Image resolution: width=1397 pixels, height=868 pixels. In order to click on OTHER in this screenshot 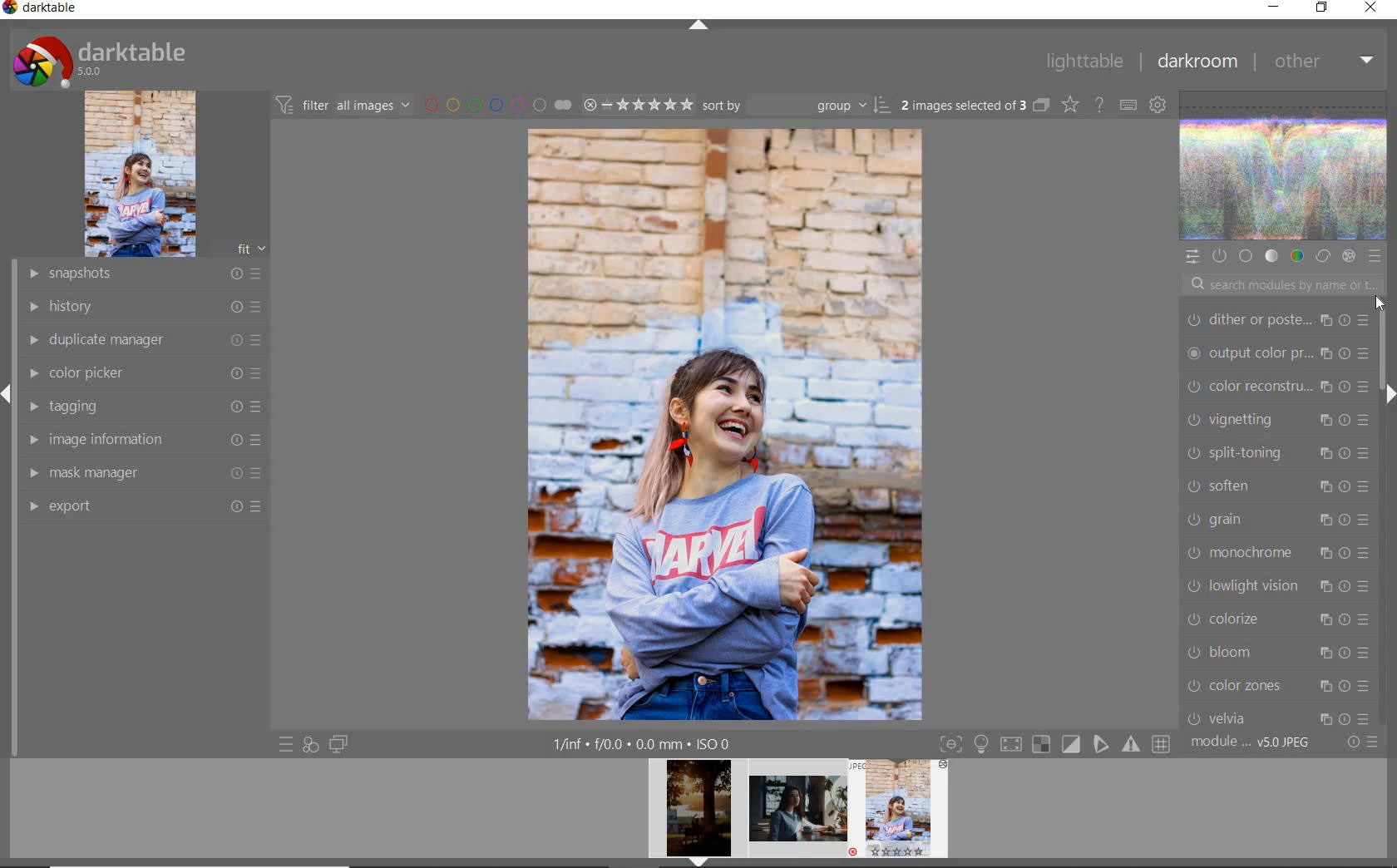, I will do `click(1324, 61)`.